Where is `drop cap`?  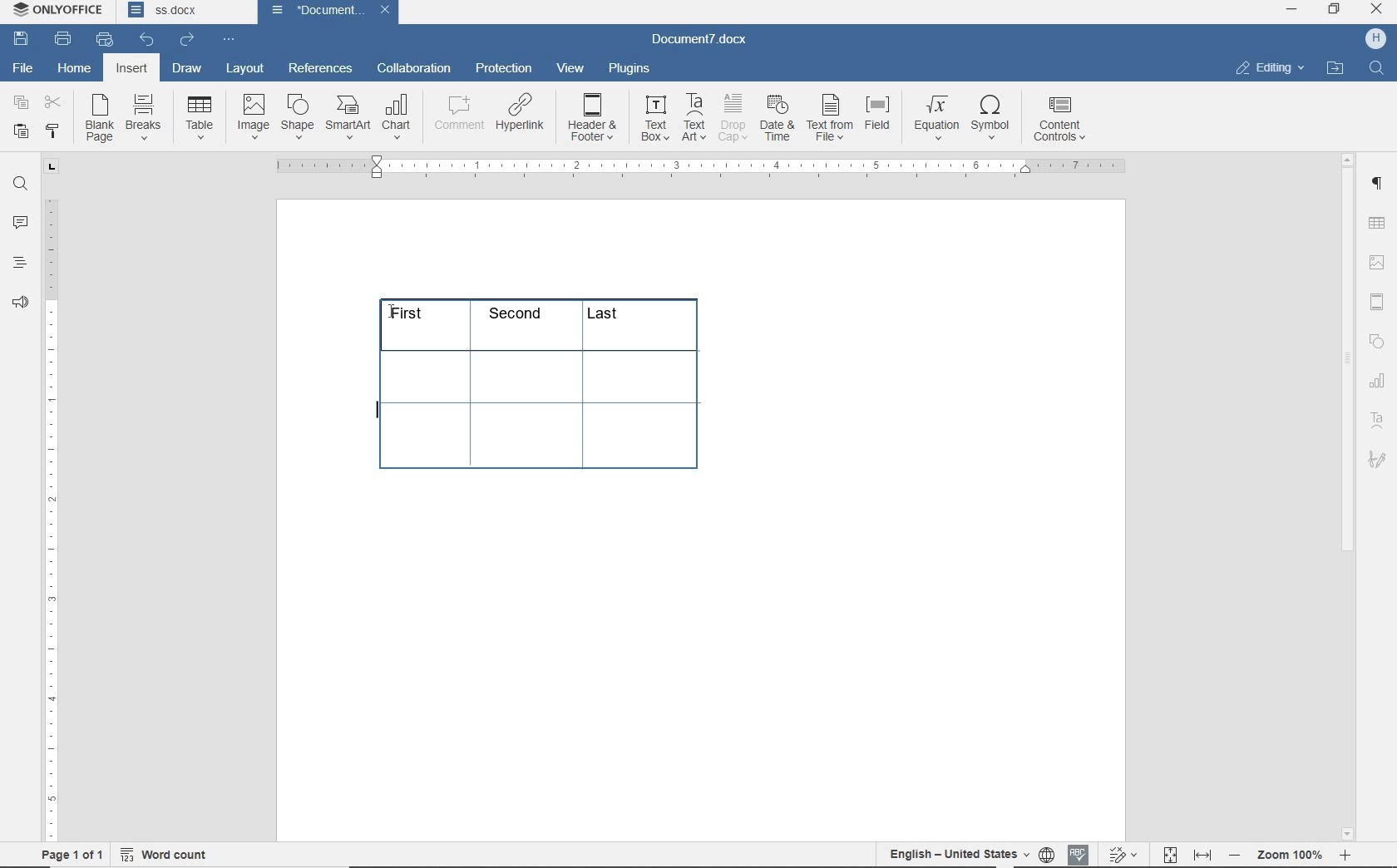
drop cap is located at coordinates (733, 118).